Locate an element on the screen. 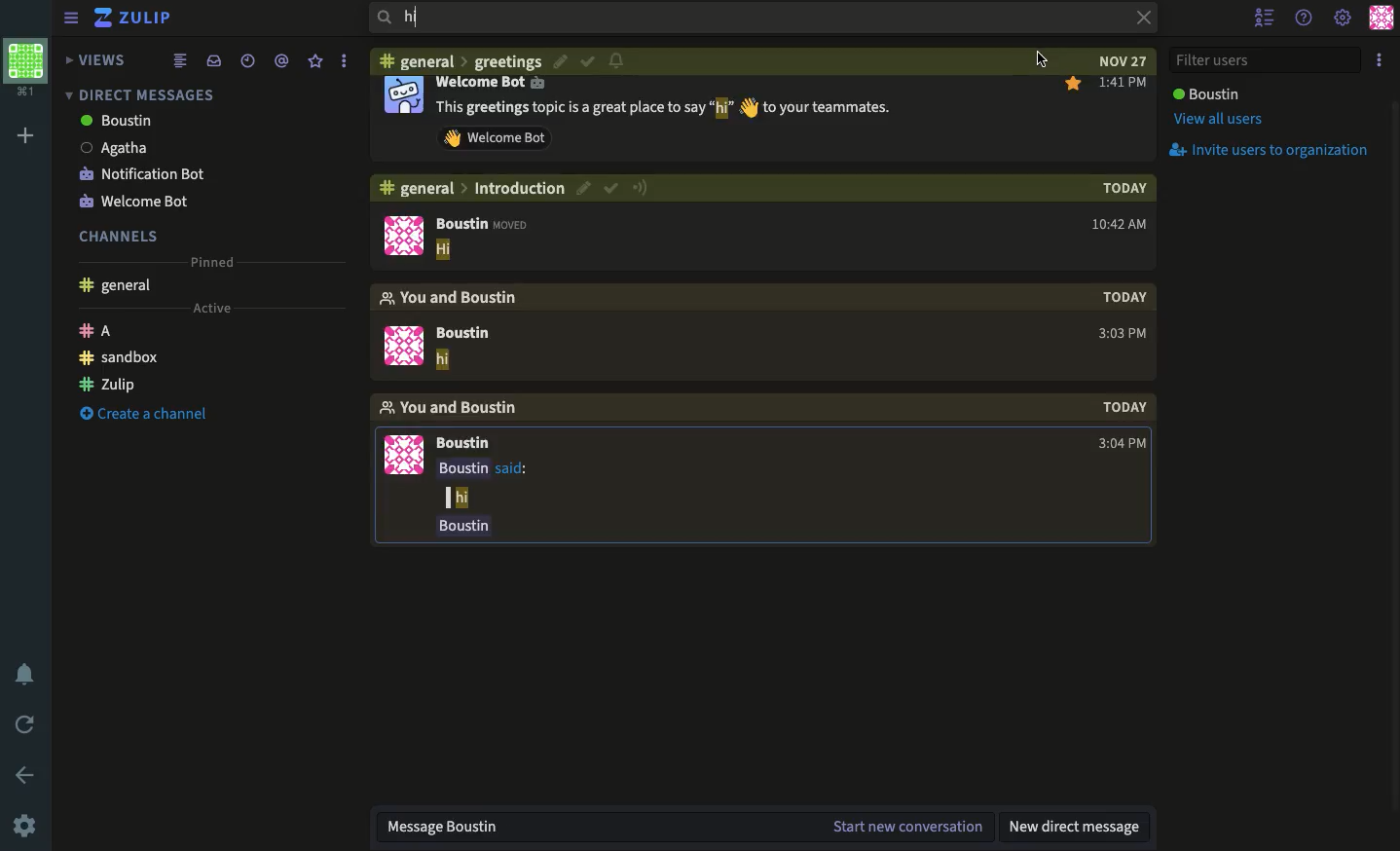 This screenshot has height=851, width=1400. today is located at coordinates (1124, 407).